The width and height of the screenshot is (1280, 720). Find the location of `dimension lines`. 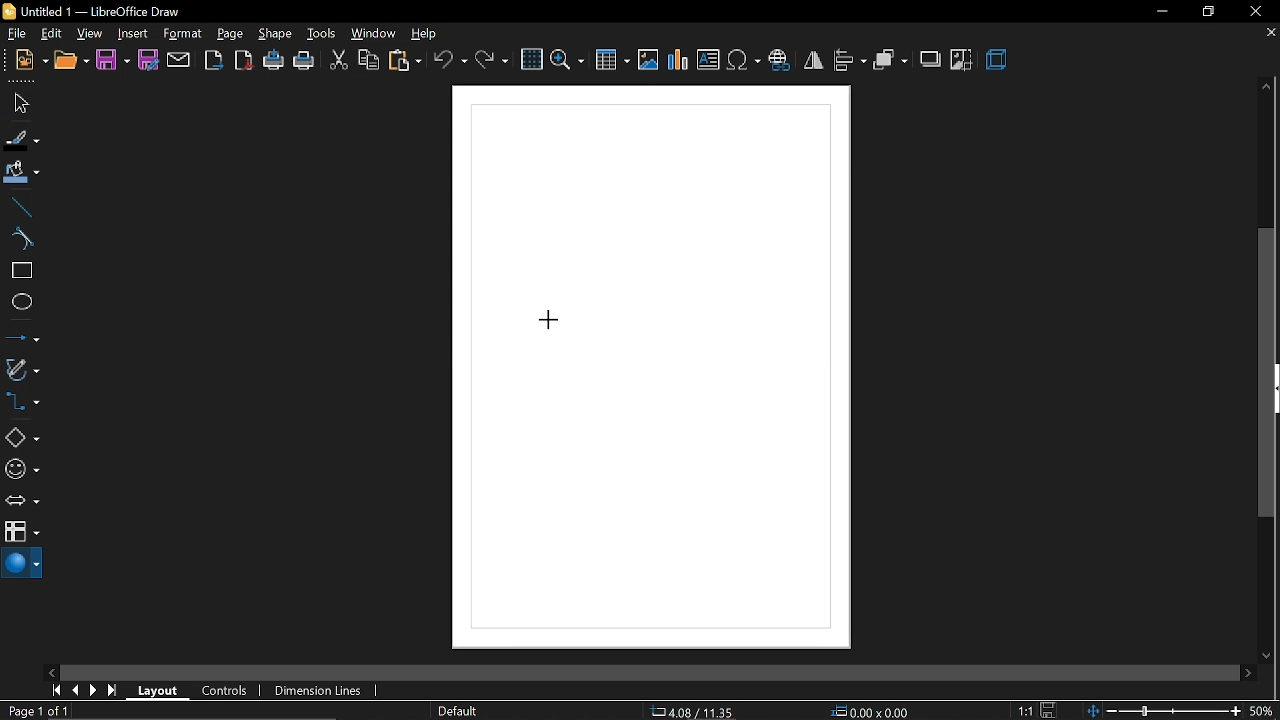

dimension lines is located at coordinates (325, 692).